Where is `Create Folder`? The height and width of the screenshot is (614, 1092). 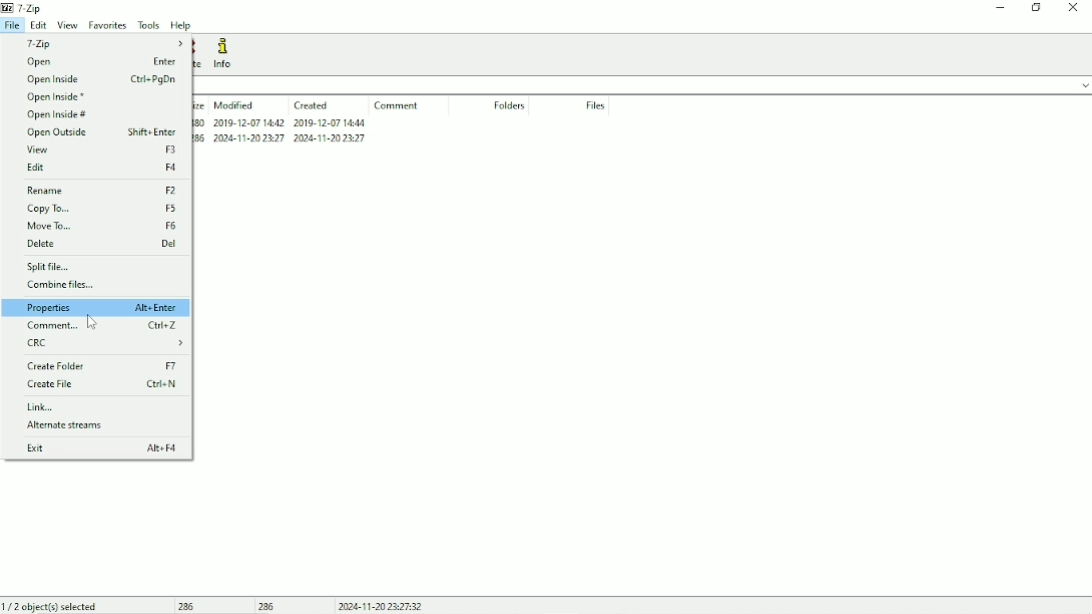 Create Folder is located at coordinates (102, 365).